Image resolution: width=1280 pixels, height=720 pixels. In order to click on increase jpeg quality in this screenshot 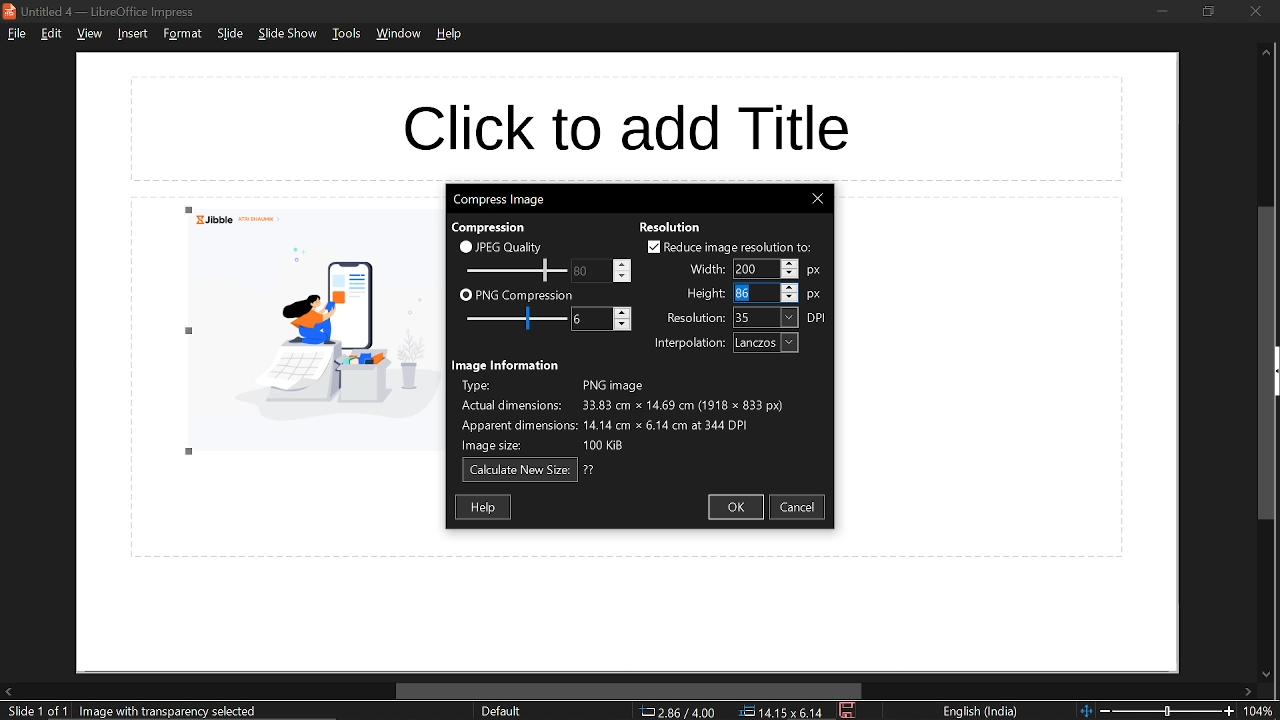, I will do `click(622, 264)`.